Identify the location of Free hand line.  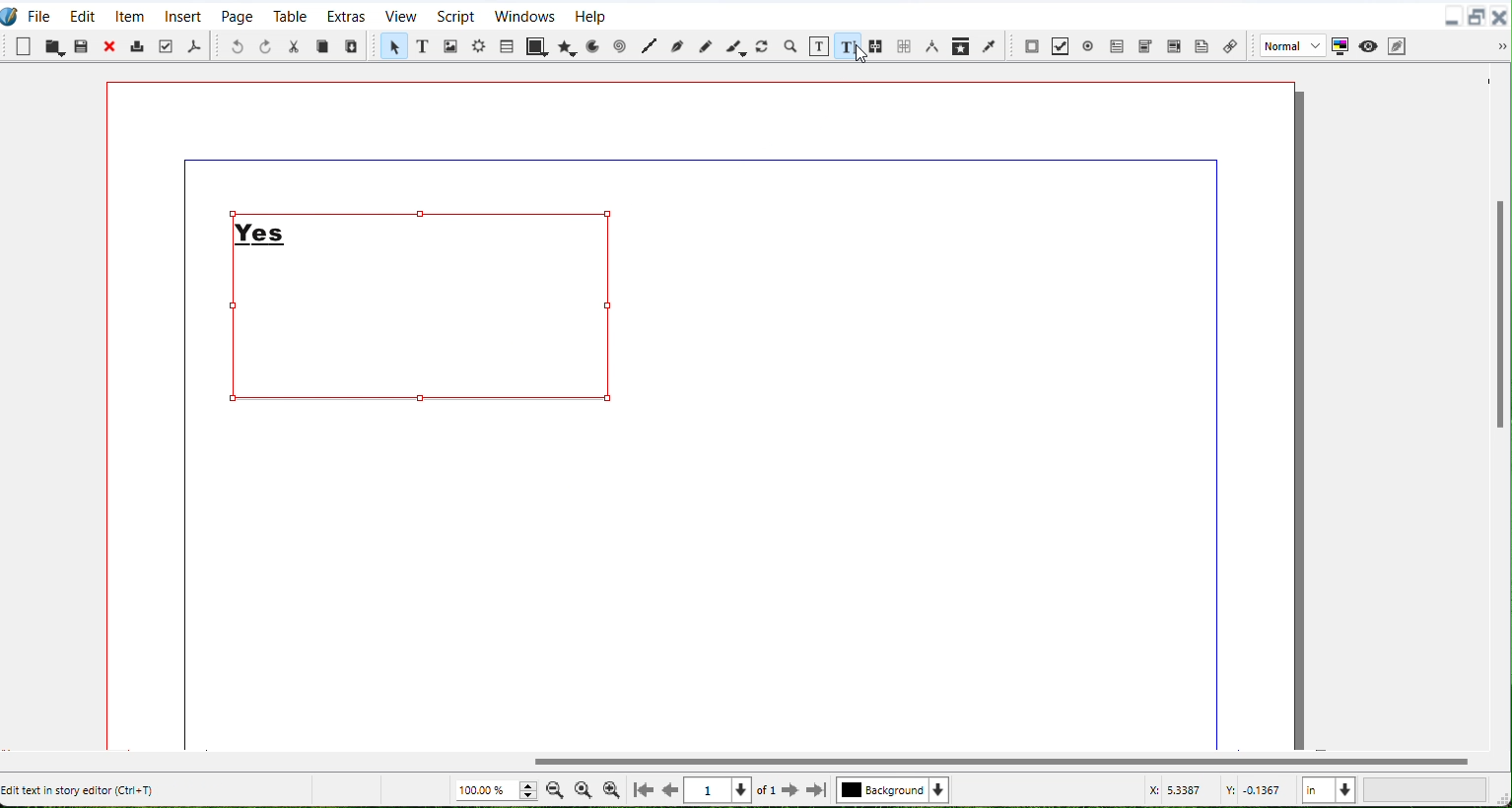
(705, 46).